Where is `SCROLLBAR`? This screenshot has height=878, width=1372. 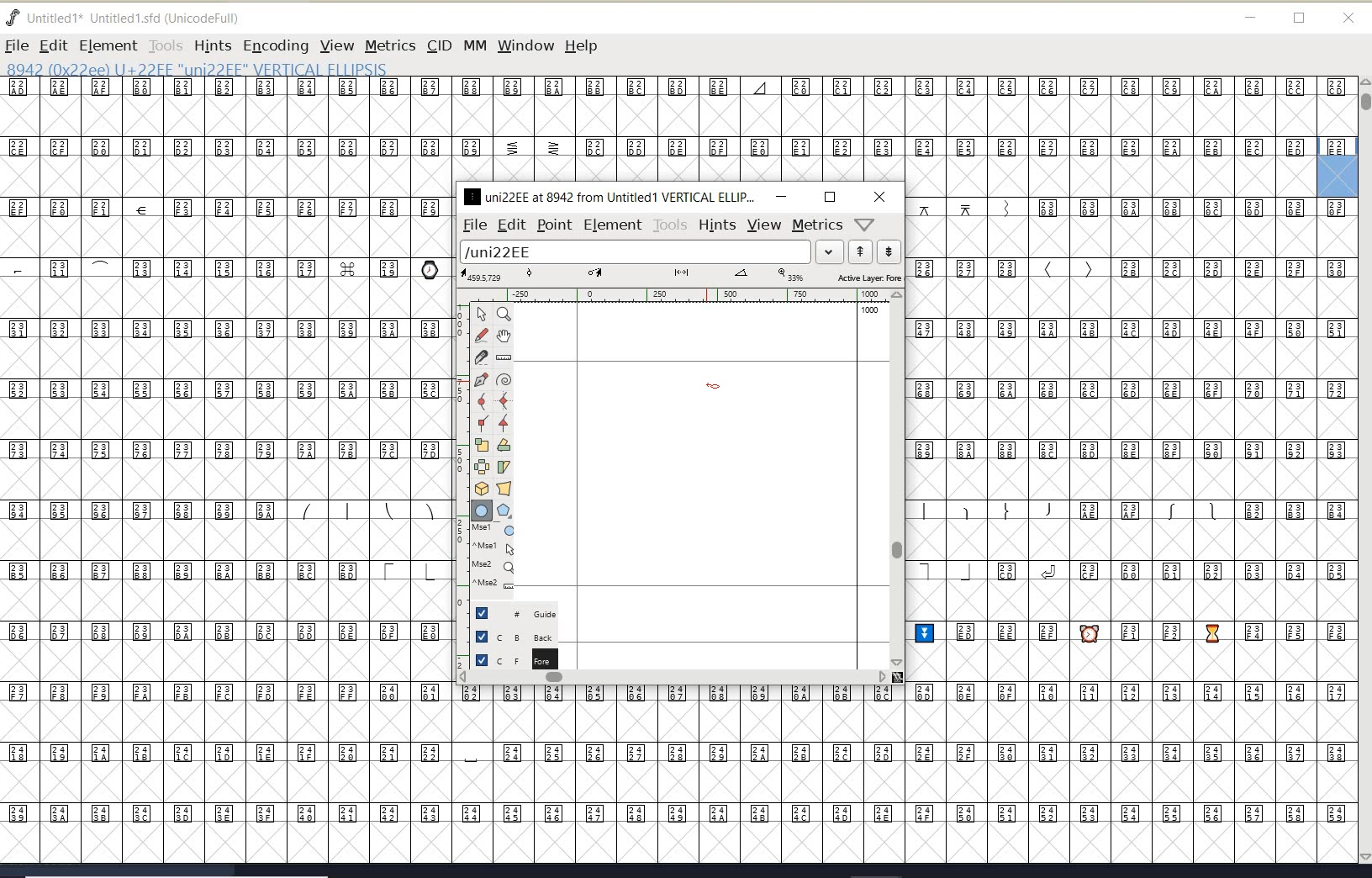
SCROLLBAR is located at coordinates (1364, 472).